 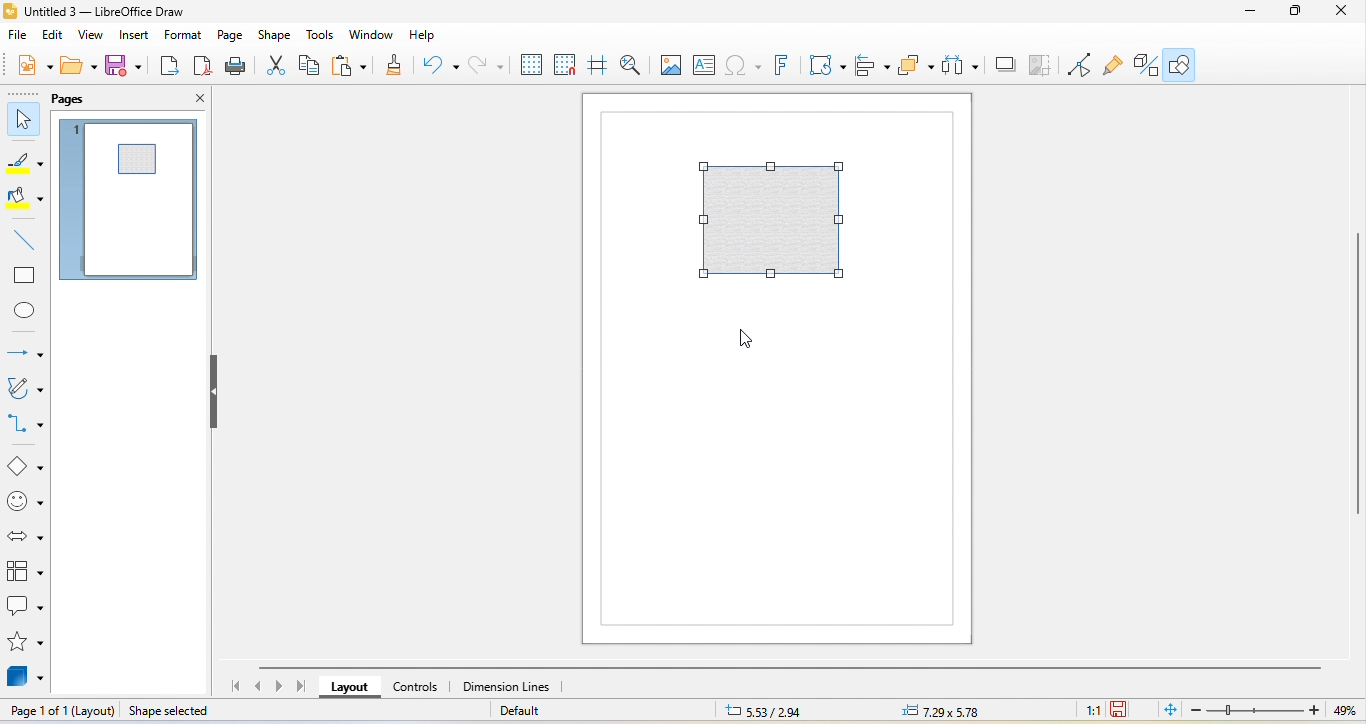 I want to click on shadow, so click(x=1004, y=66).